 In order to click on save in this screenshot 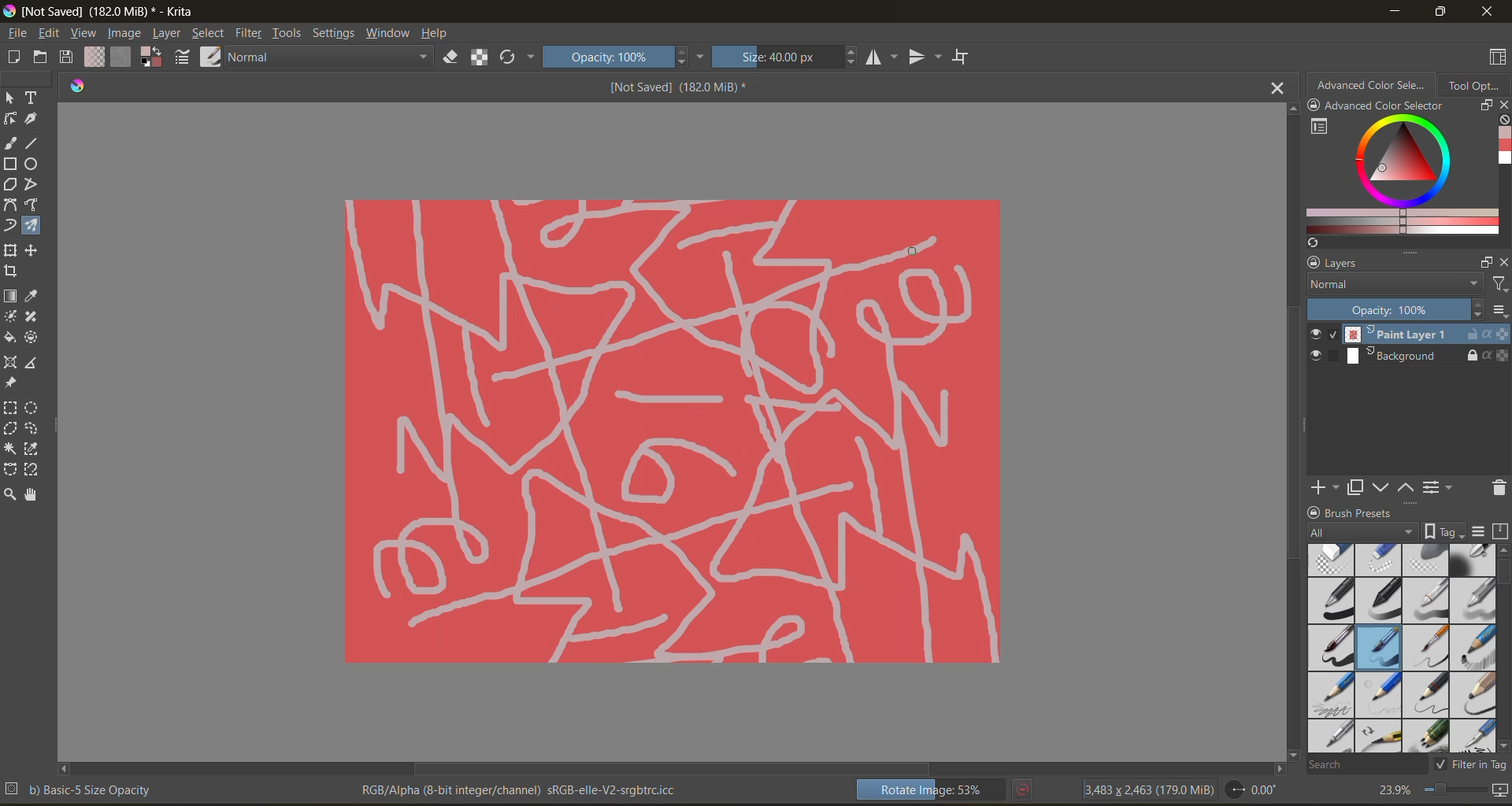, I will do `click(69, 58)`.